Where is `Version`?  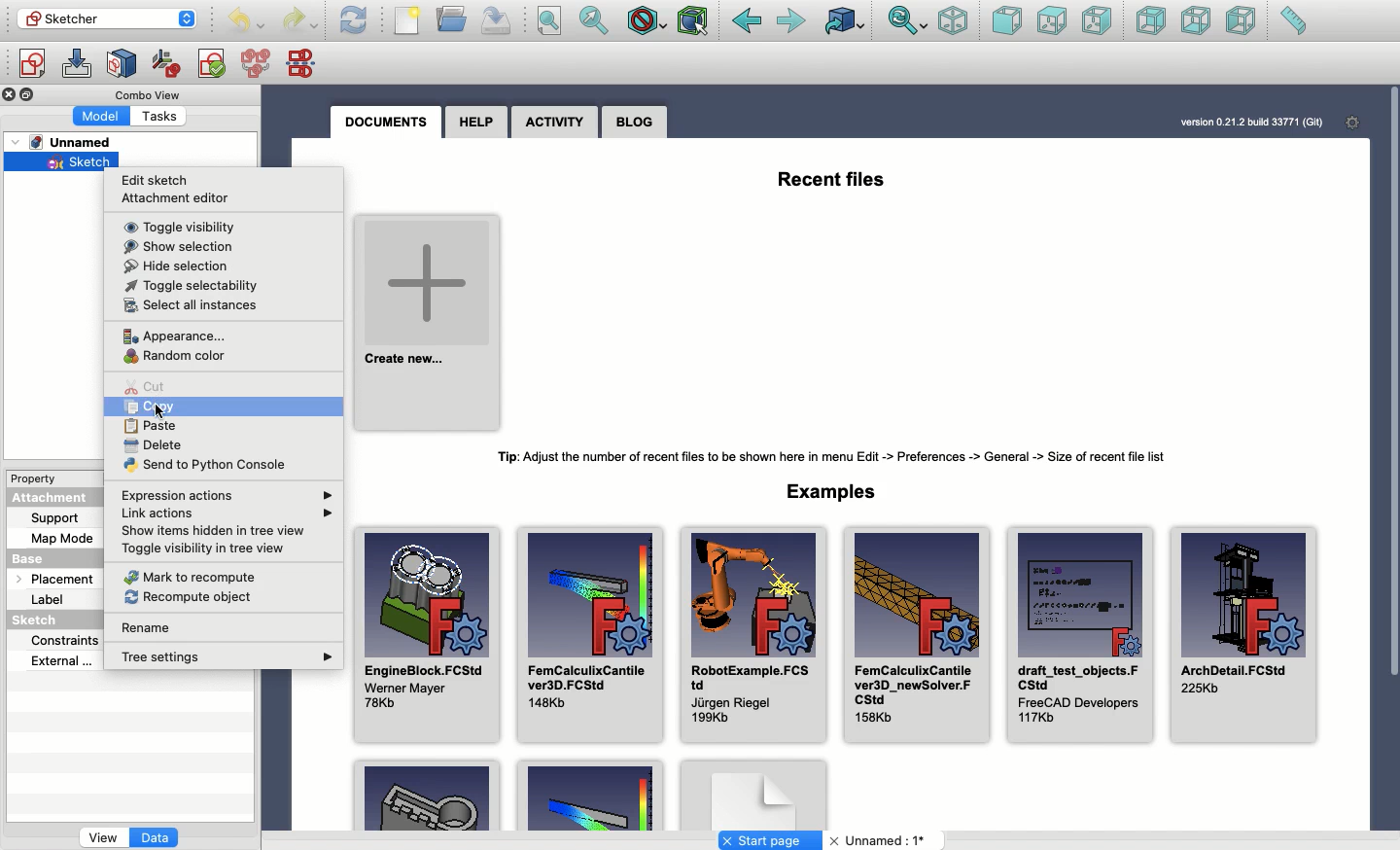 Version is located at coordinates (1238, 123).